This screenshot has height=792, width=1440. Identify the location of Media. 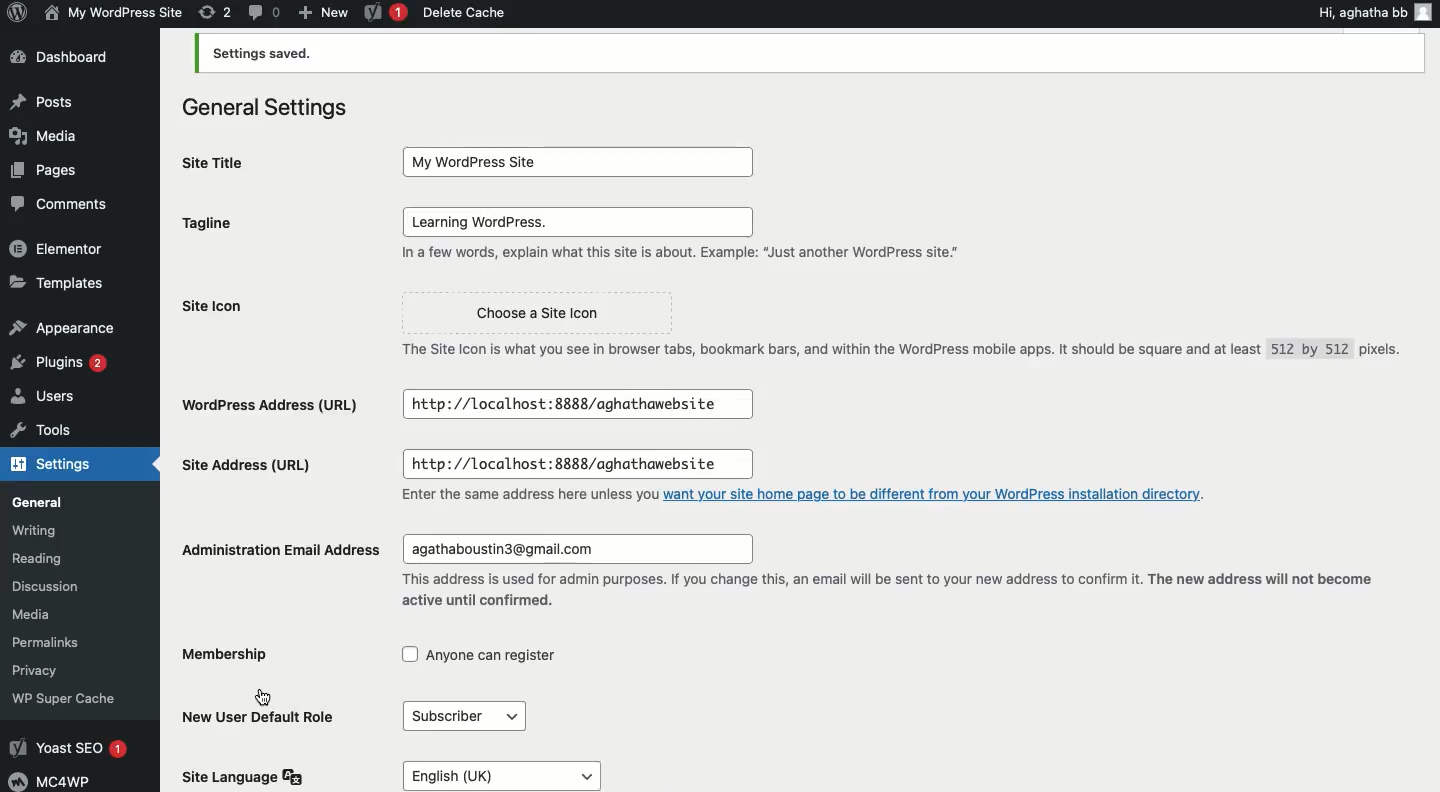
(51, 135).